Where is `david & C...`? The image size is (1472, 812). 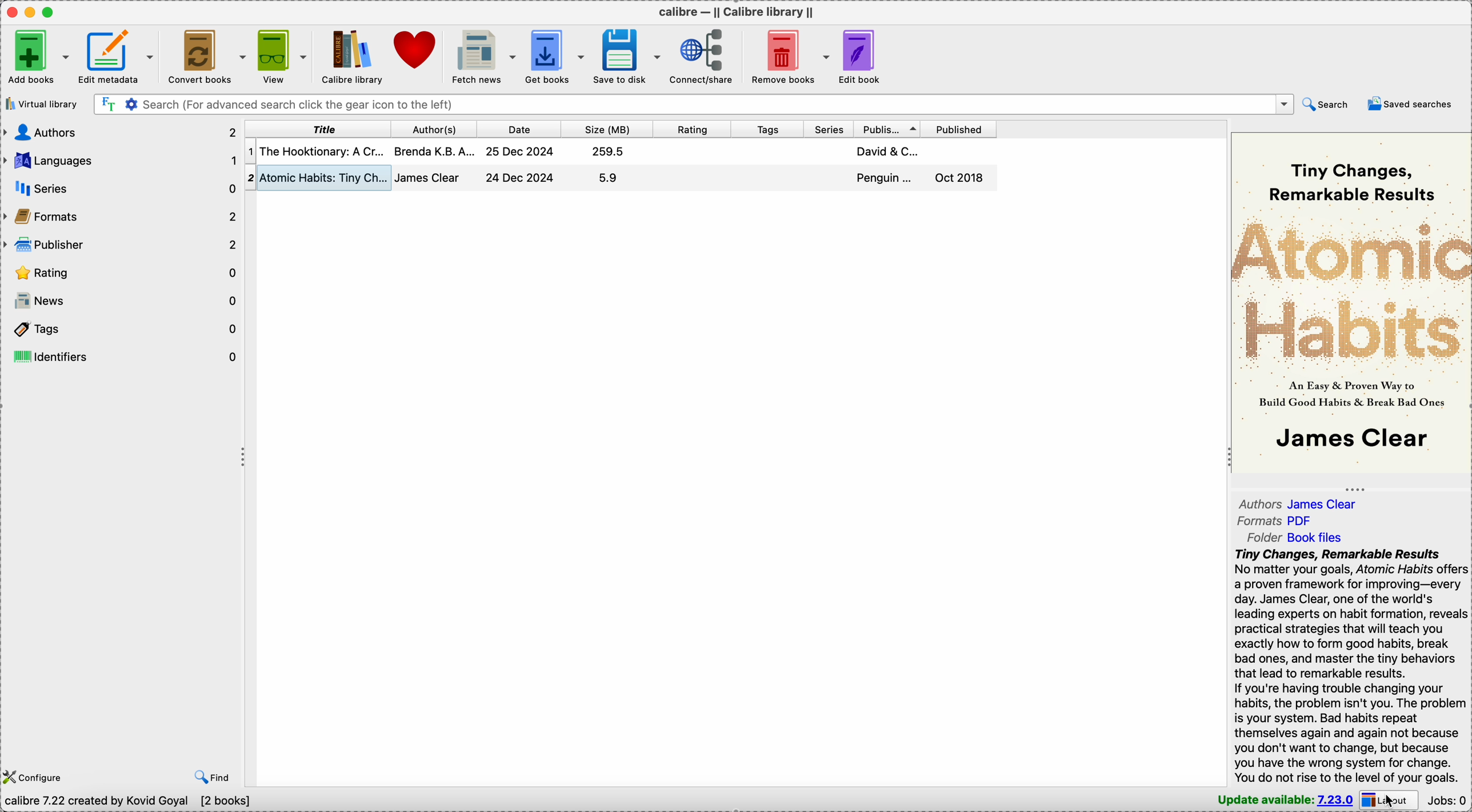 david & C... is located at coordinates (888, 151).